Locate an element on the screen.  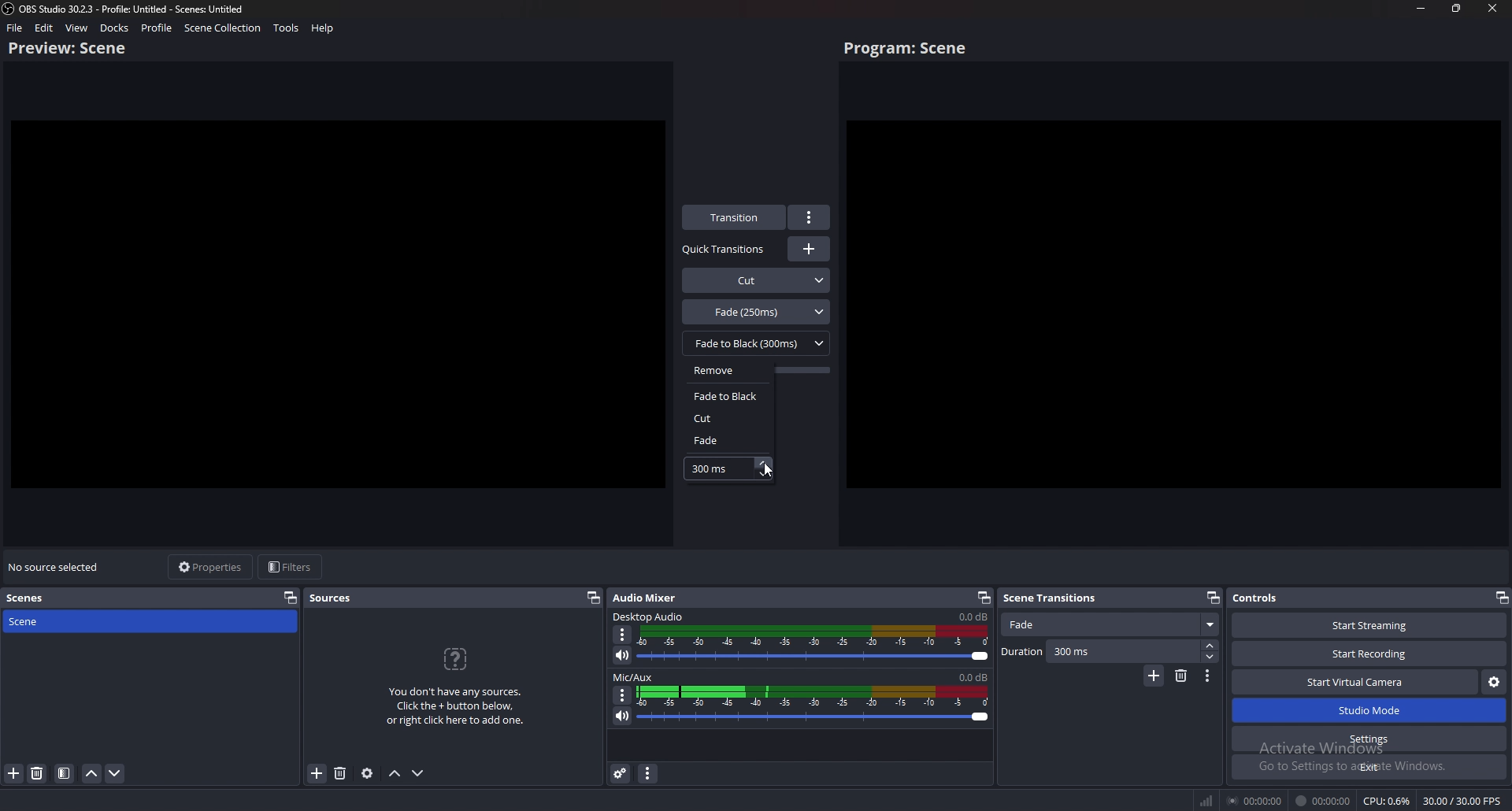
options is located at coordinates (810, 217).